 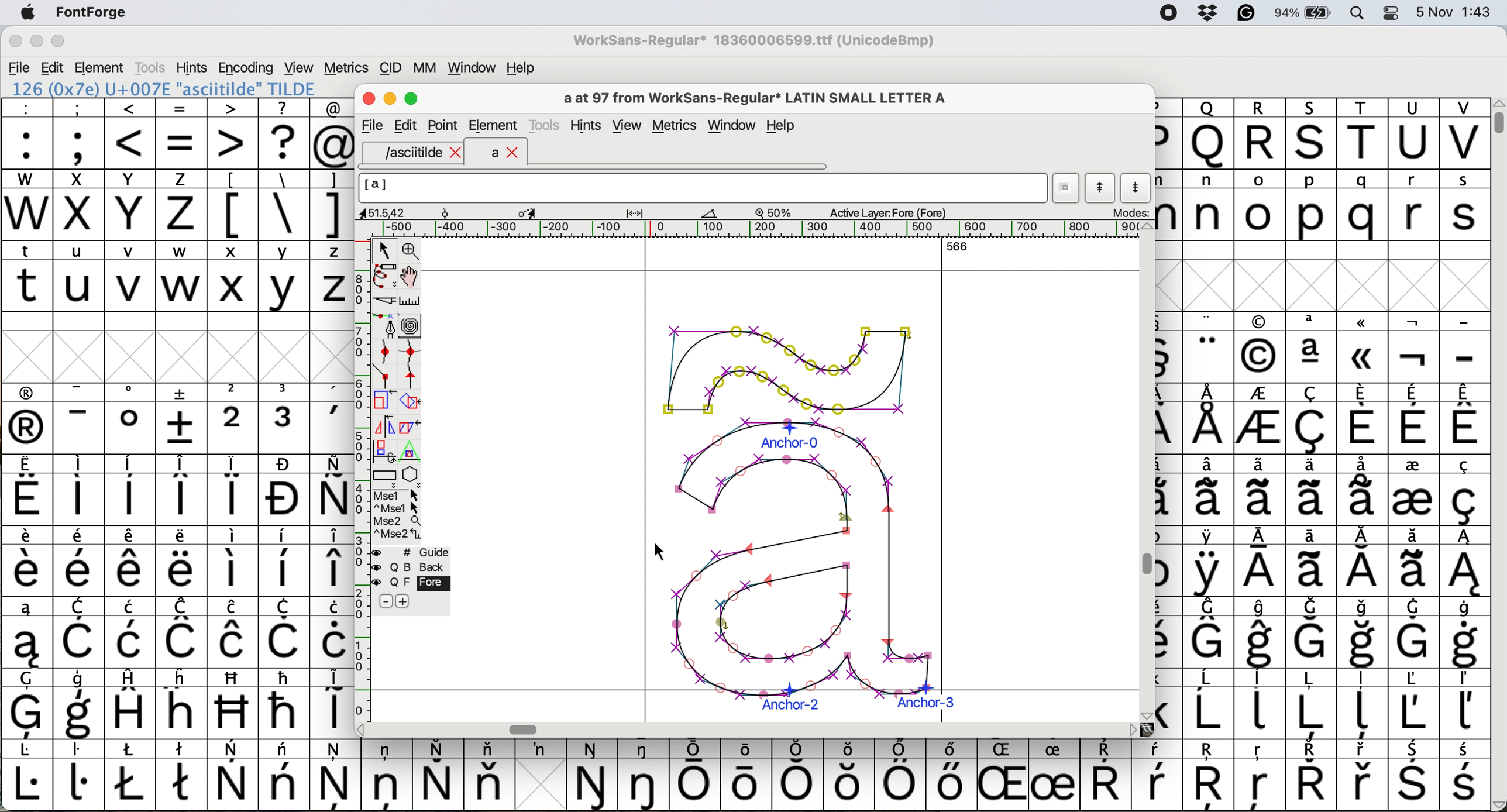 I want to click on symbol, so click(x=332, y=562).